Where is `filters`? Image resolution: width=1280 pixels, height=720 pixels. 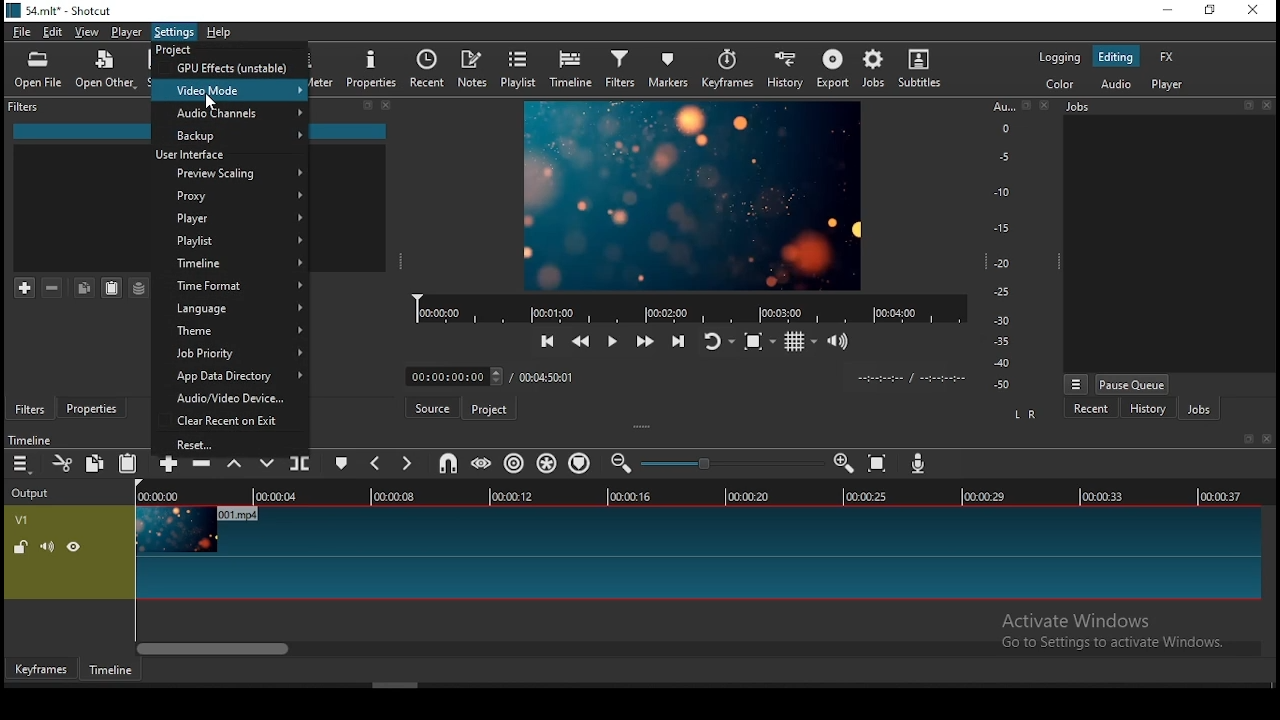 filters is located at coordinates (30, 409).